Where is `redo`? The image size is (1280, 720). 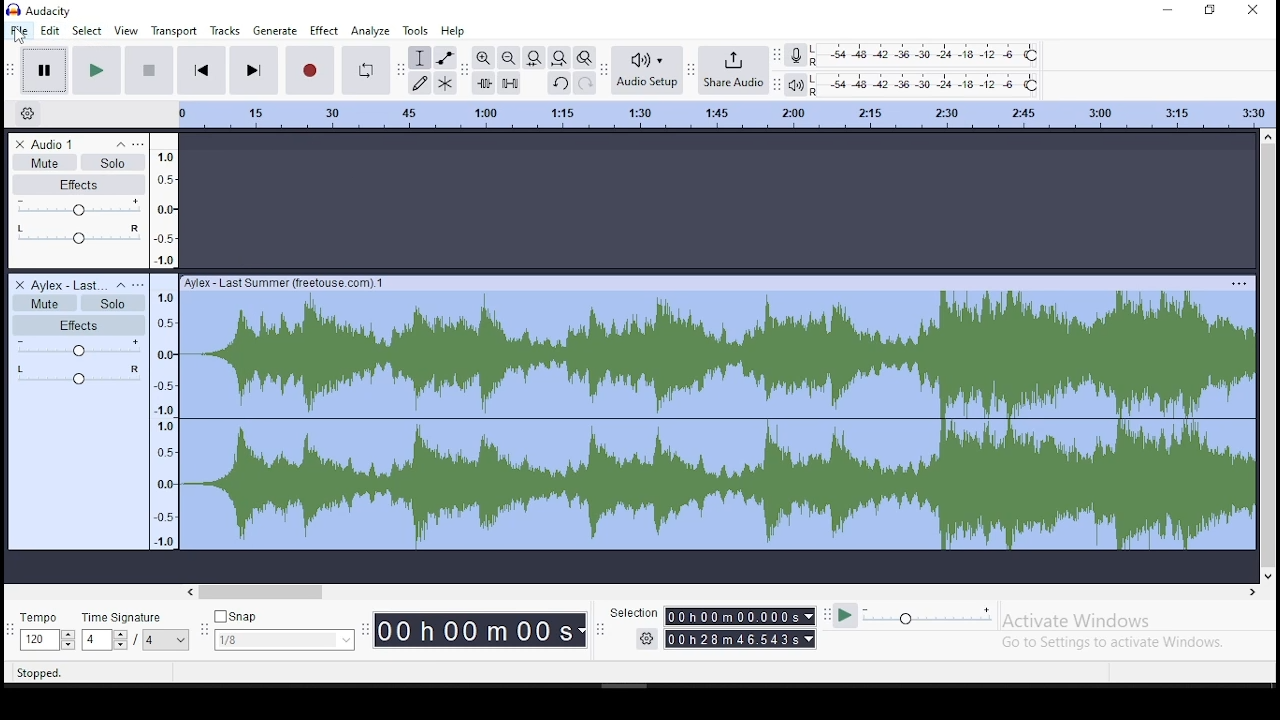
redo is located at coordinates (583, 83).